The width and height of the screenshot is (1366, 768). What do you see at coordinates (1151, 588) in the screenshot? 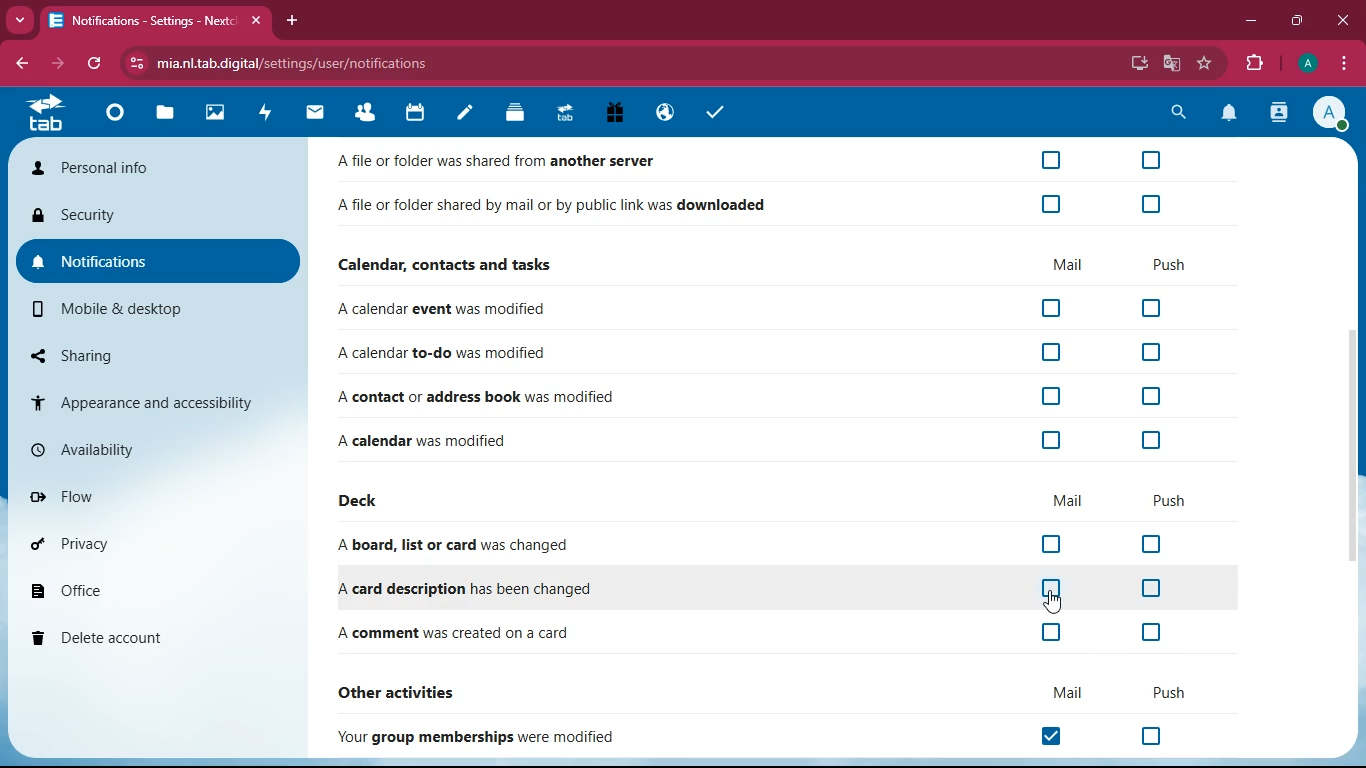
I see `off` at bounding box center [1151, 588].